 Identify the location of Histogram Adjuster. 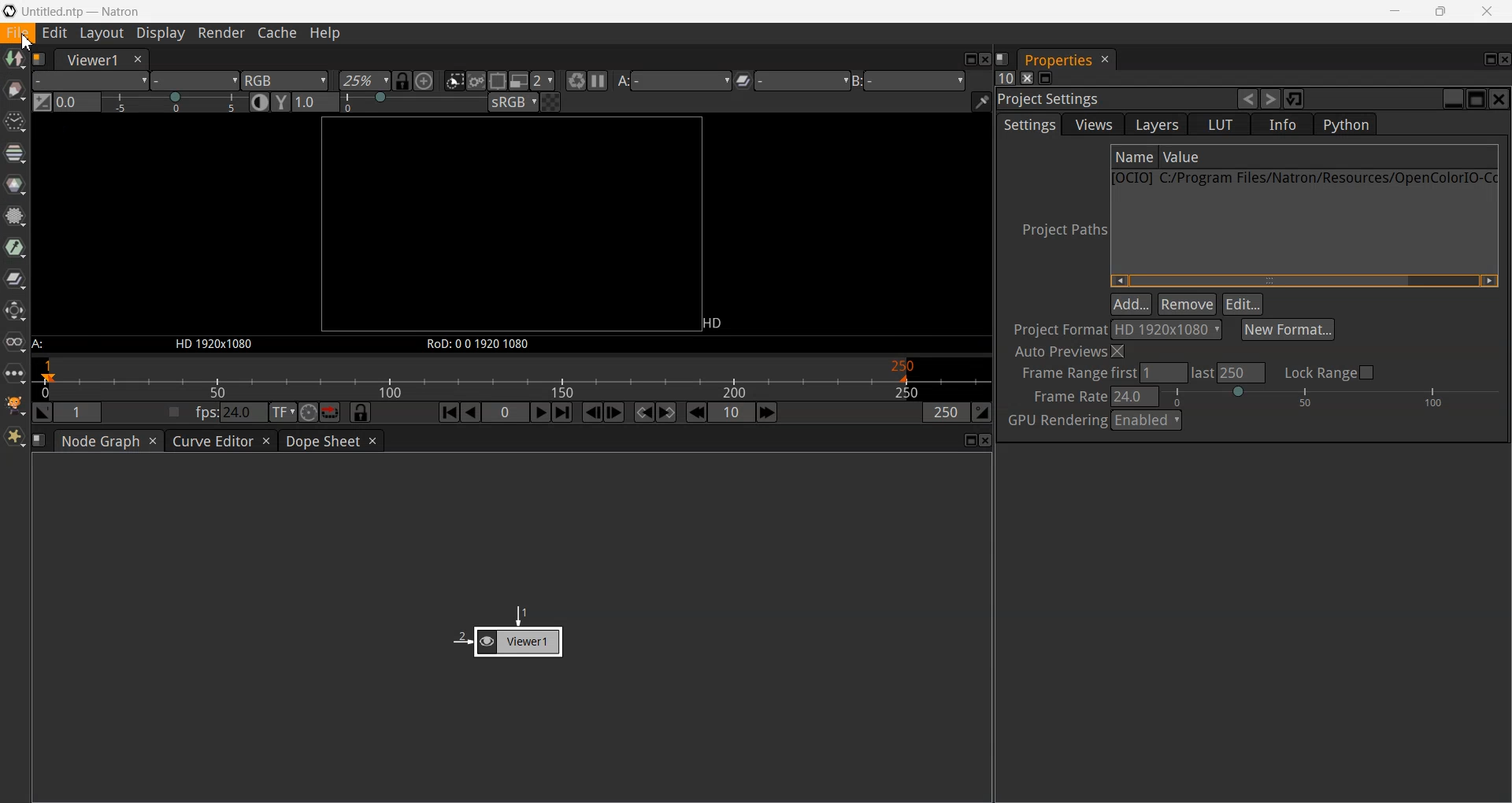
(176, 101).